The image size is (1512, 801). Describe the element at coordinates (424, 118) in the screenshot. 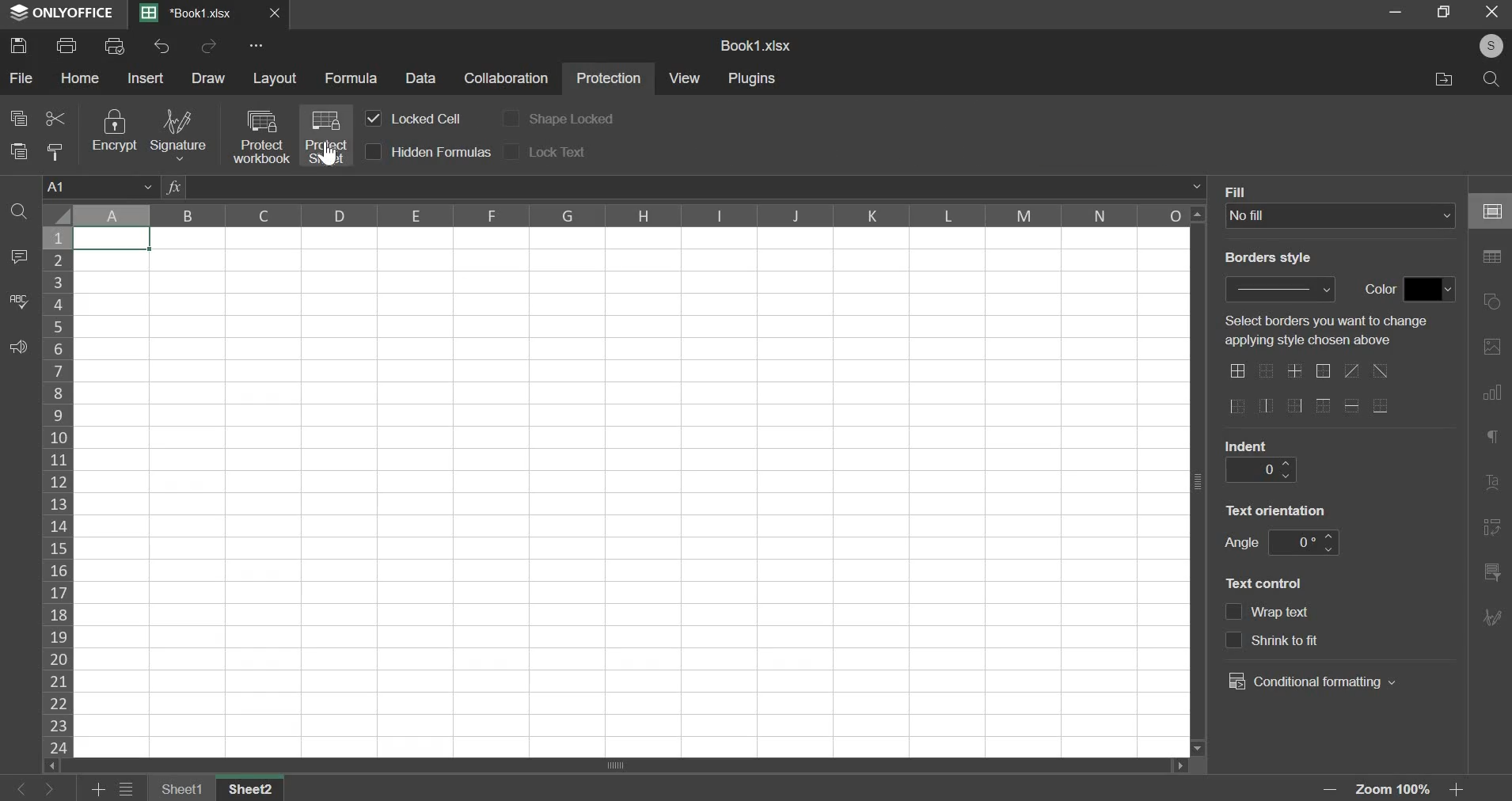

I see `locked cell` at that location.